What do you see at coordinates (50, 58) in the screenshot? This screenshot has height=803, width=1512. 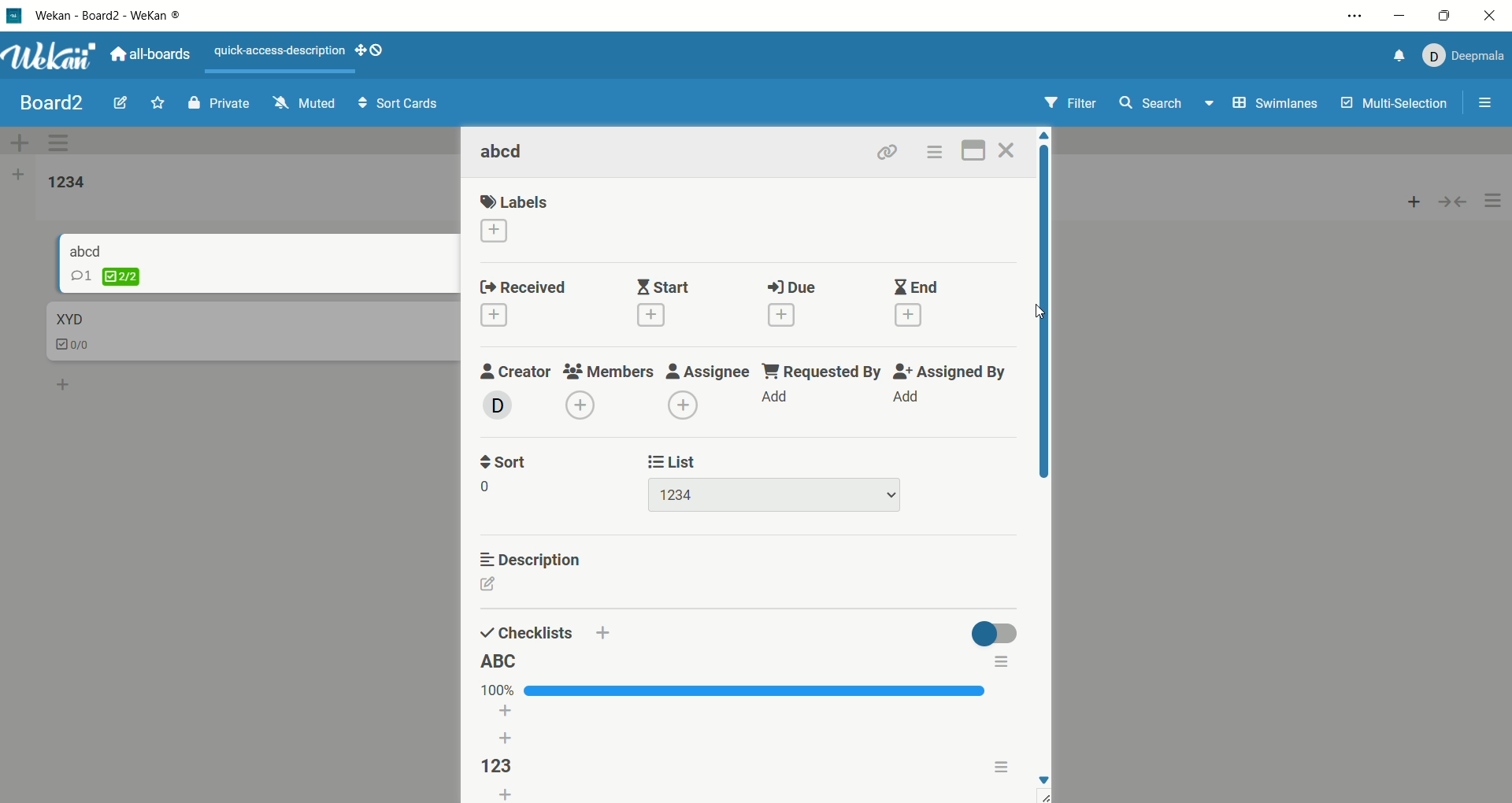 I see `wekan` at bounding box center [50, 58].